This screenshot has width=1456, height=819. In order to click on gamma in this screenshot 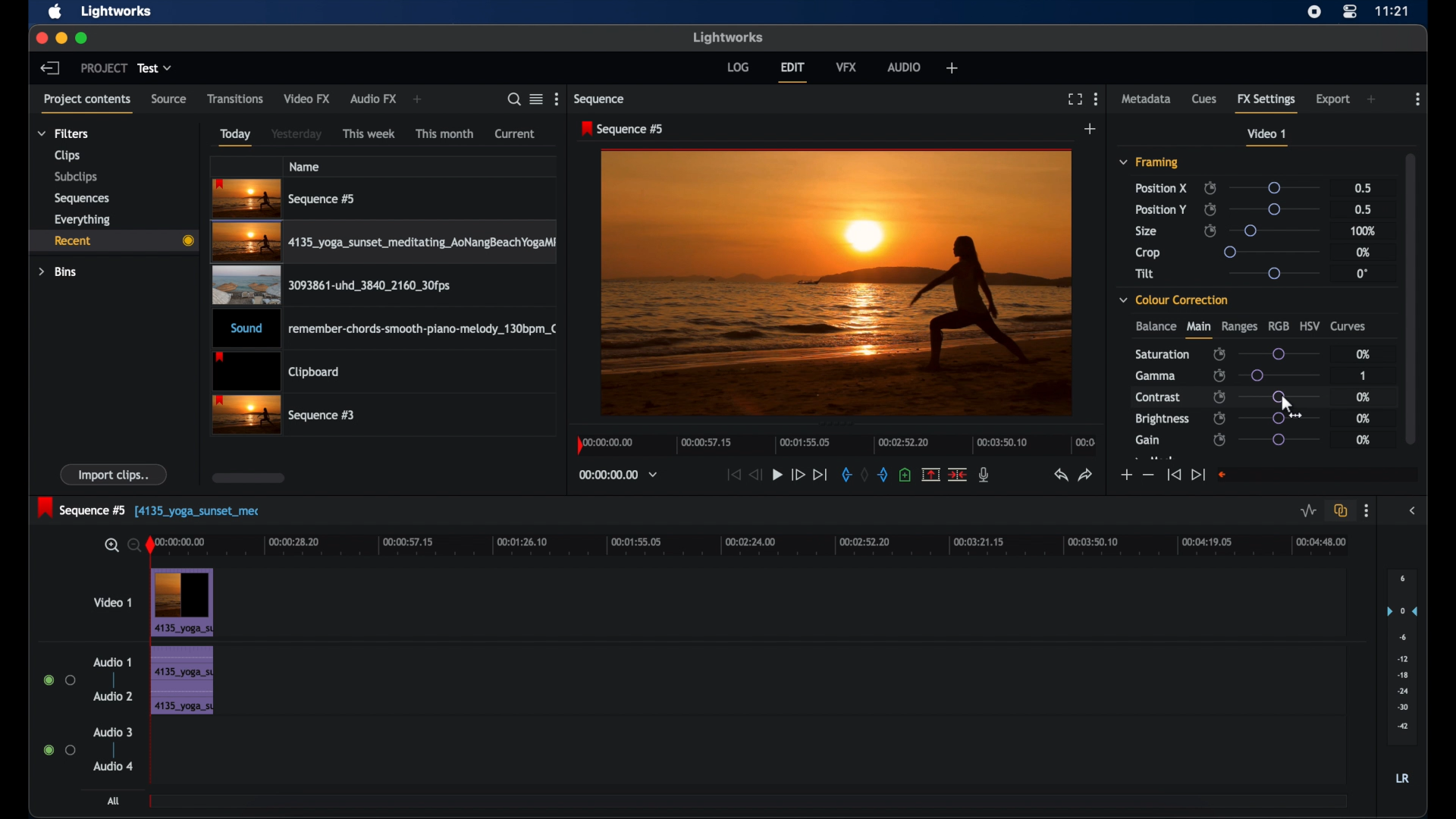, I will do `click(1156, 375)`.